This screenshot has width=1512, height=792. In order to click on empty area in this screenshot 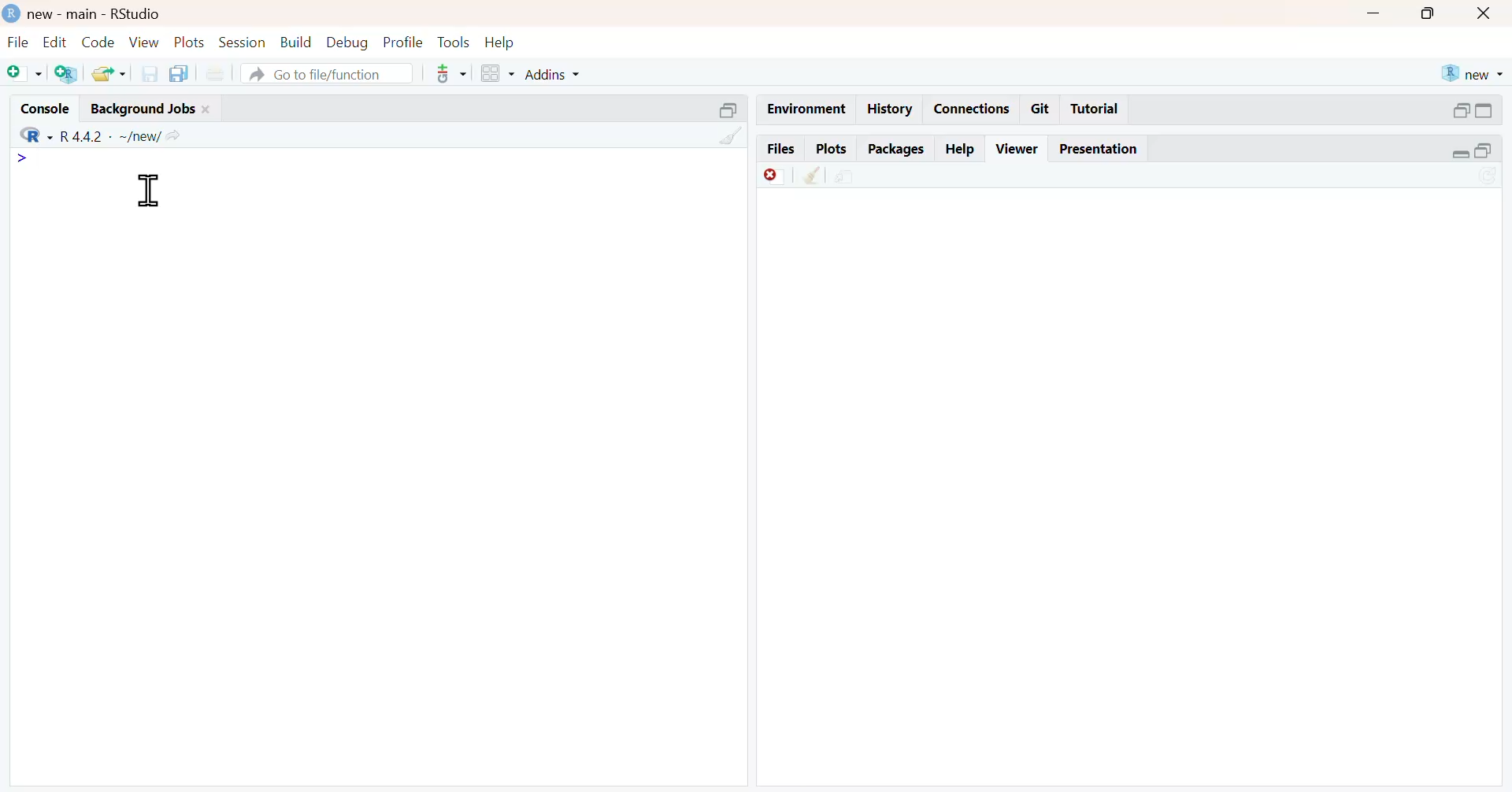, I will do `click(376, 497)`.